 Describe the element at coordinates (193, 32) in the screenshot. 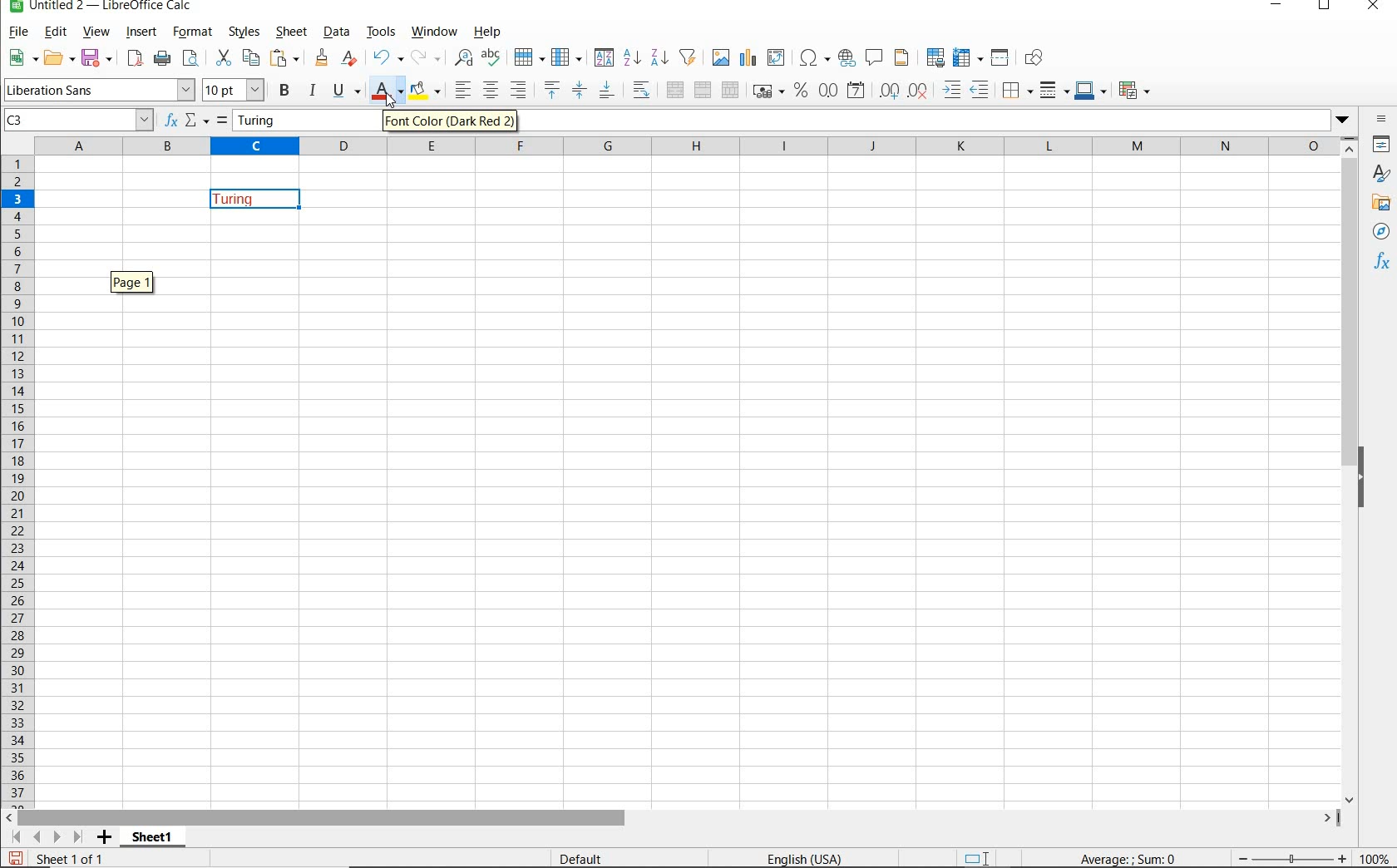

I see `FORMAT` at that location.